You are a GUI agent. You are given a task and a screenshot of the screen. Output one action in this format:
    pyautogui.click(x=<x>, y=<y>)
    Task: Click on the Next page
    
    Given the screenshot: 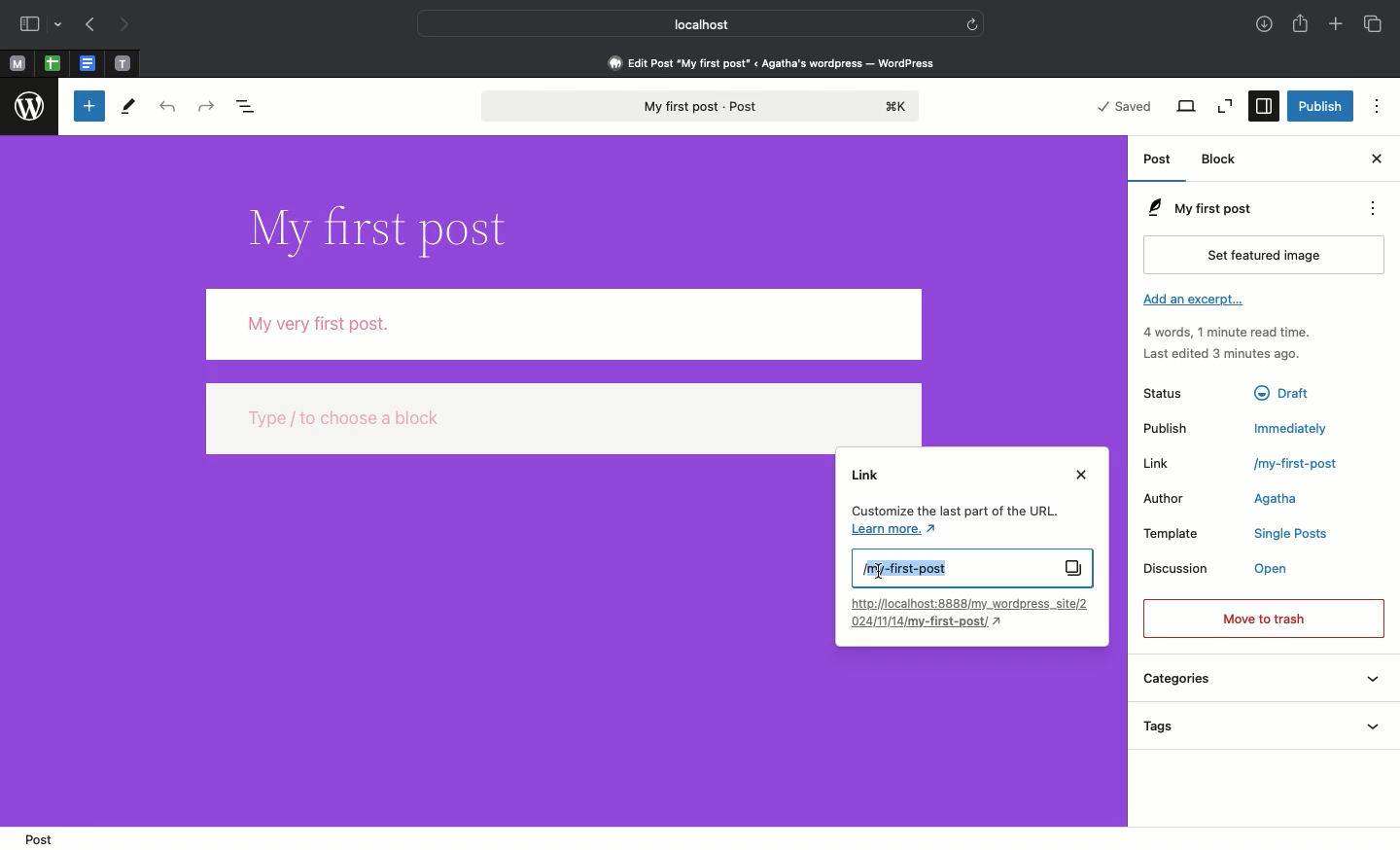 What is the action you would take?
    pyautogui.click(x=130, y=25)
    